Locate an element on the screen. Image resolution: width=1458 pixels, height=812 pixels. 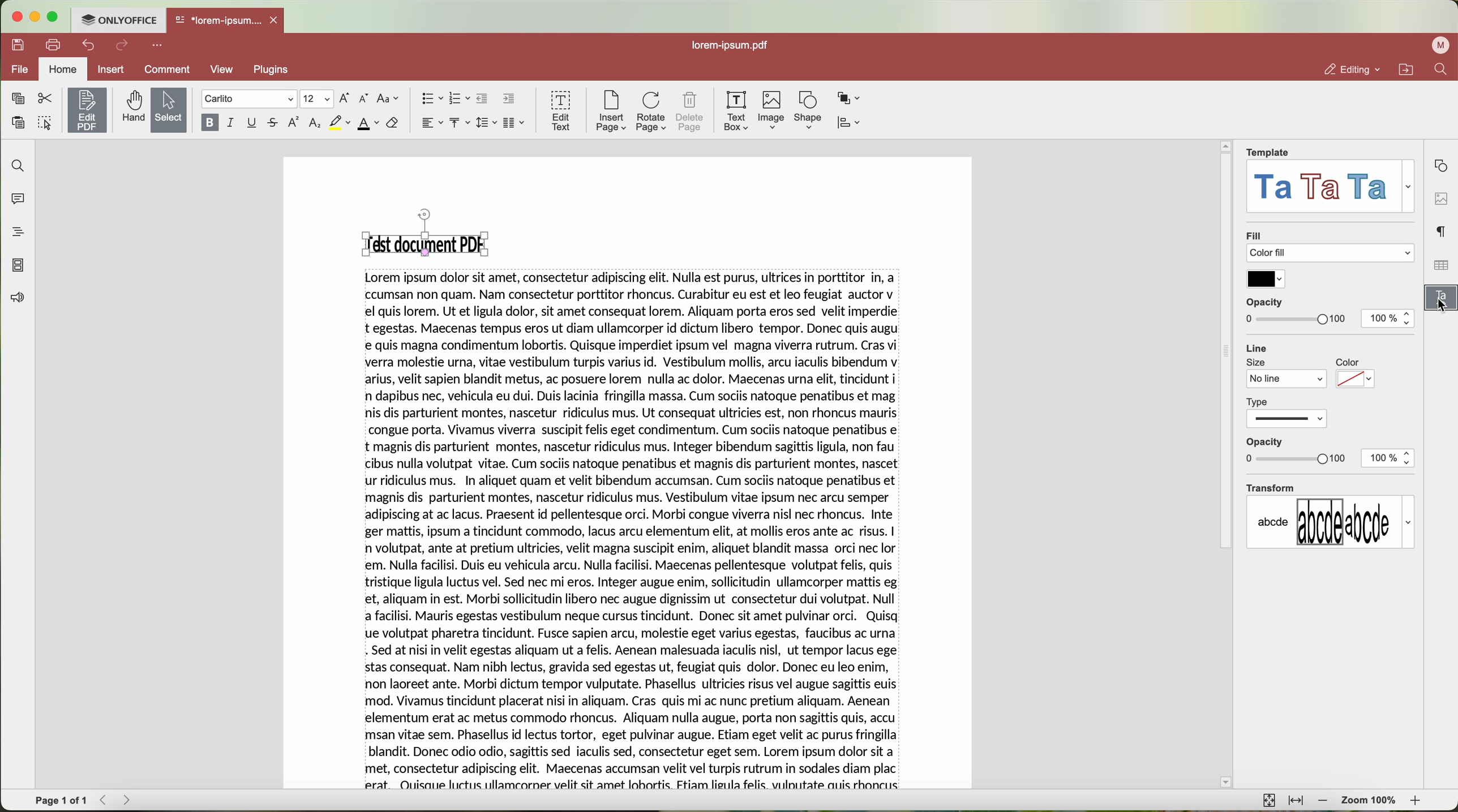
copy is located at coordinates (18, 98).